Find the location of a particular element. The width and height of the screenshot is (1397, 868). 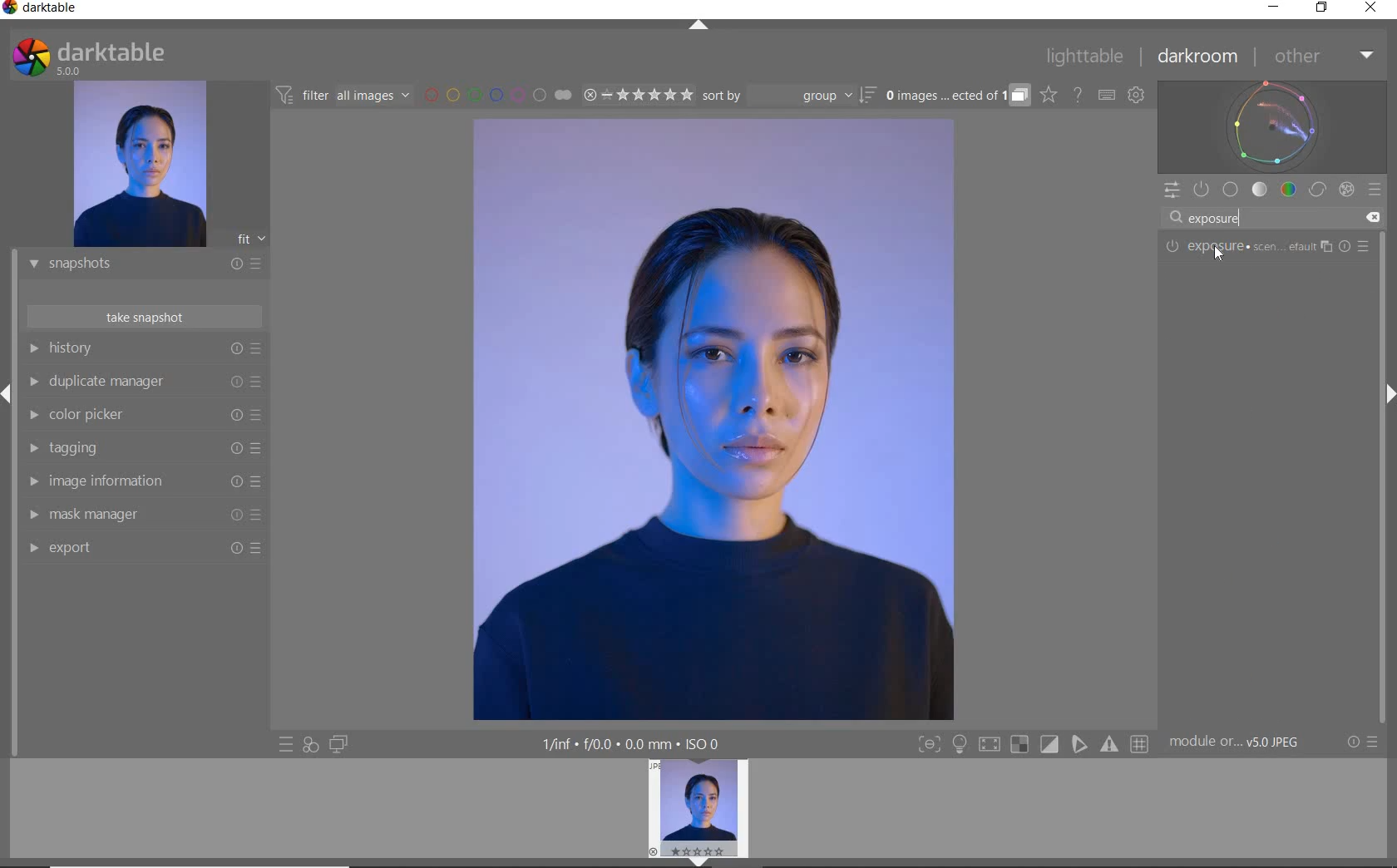

Expand/Collapse is located at coordinates (1388, 392).